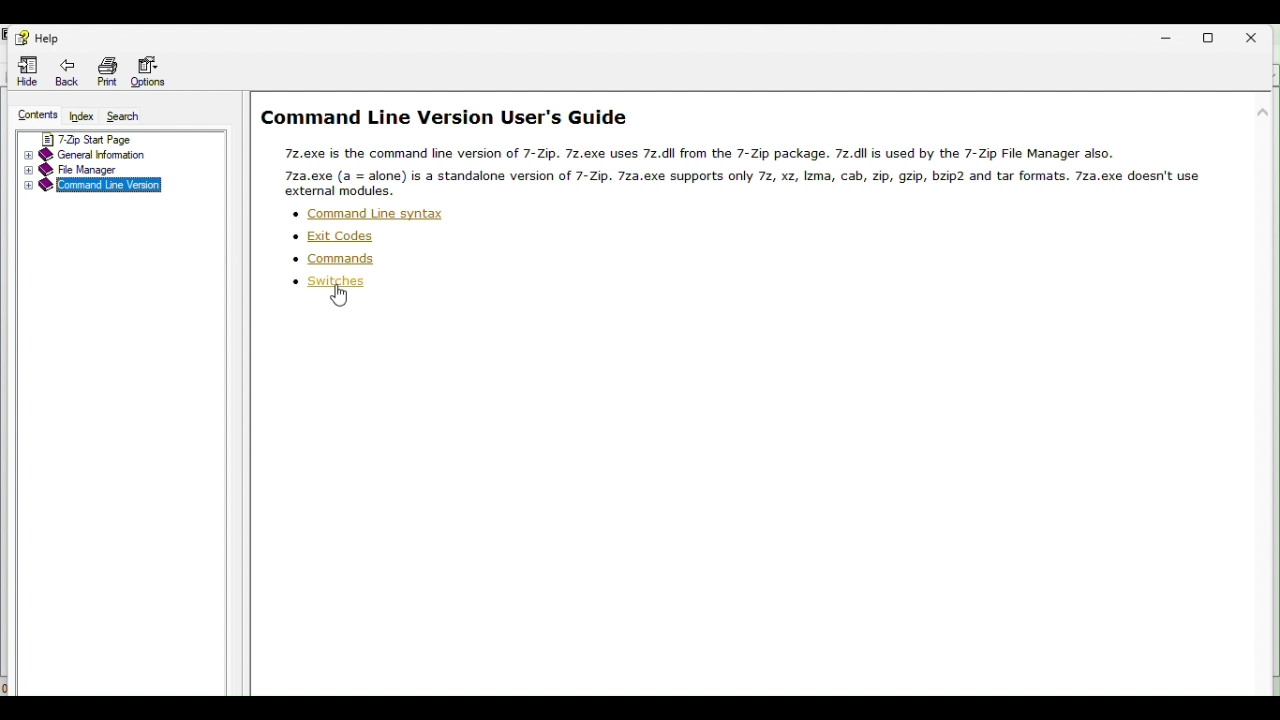  What do you see at coordinates (335, 236) in the screenshot?
I see `Exit Codes` at bounding box center [335, 236].